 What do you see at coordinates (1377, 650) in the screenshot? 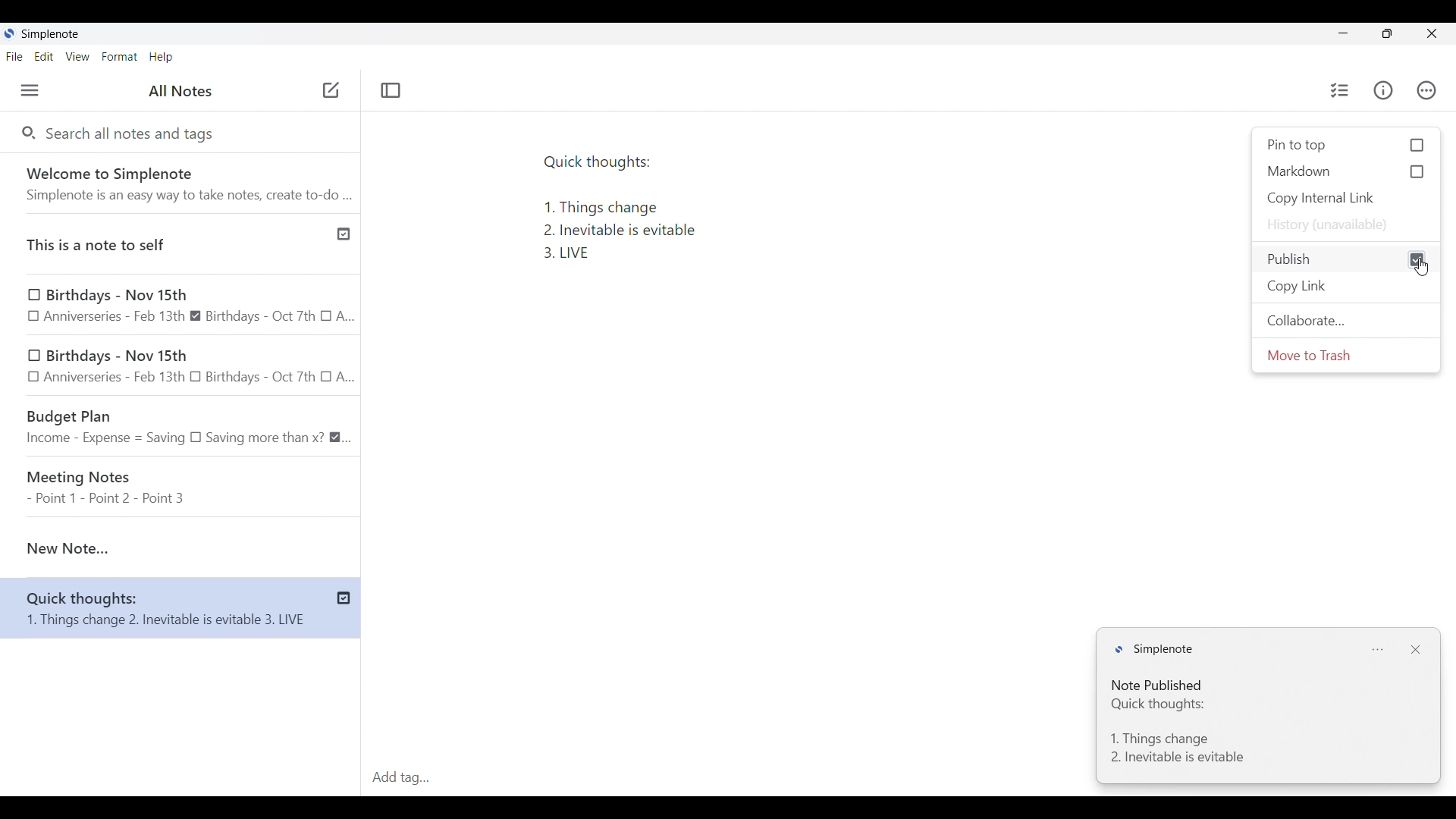
I see `Notification settings` at bounding box center [1377, 650].